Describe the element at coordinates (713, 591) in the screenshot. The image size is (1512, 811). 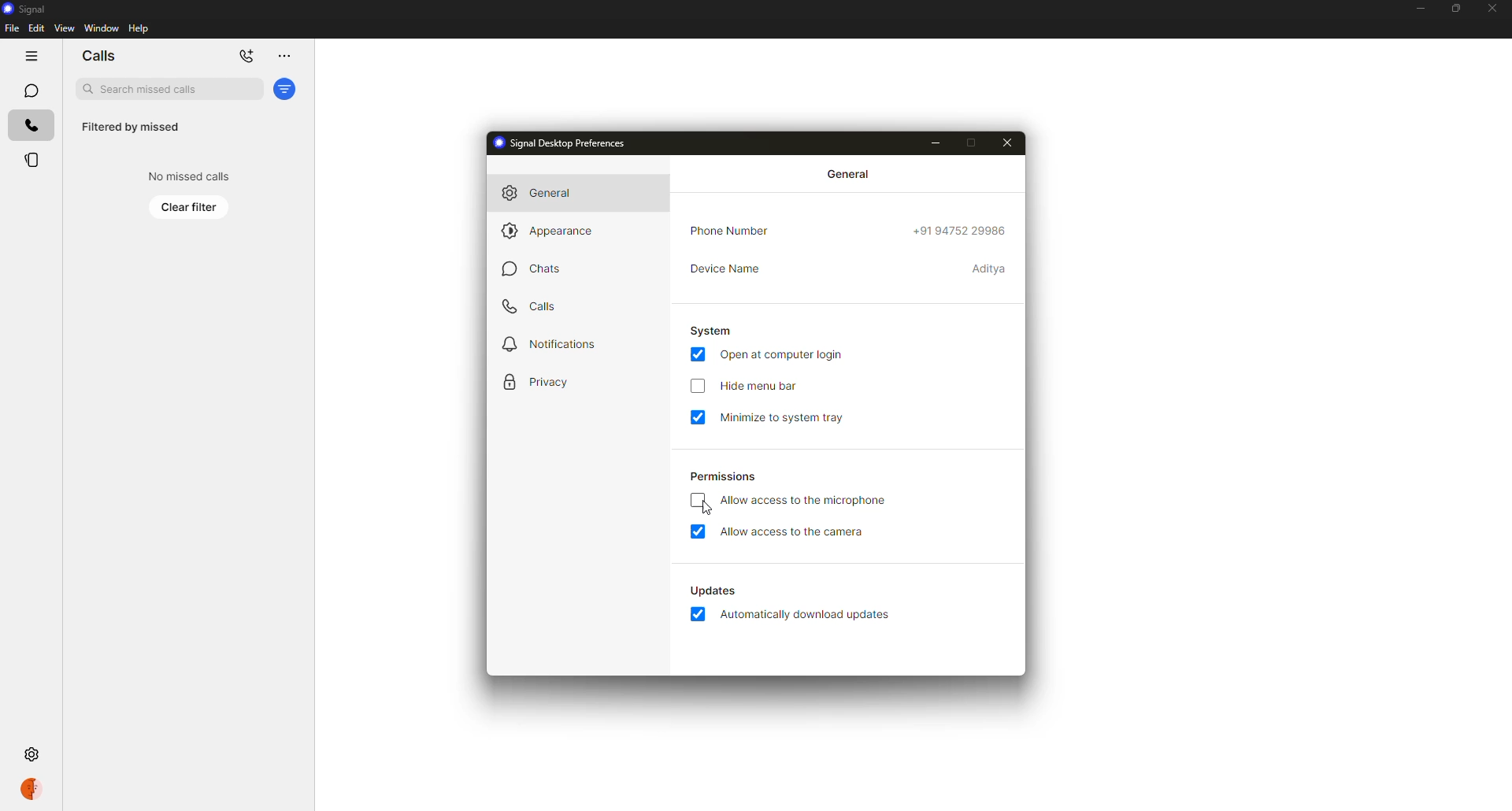
I see `updates` at that location.